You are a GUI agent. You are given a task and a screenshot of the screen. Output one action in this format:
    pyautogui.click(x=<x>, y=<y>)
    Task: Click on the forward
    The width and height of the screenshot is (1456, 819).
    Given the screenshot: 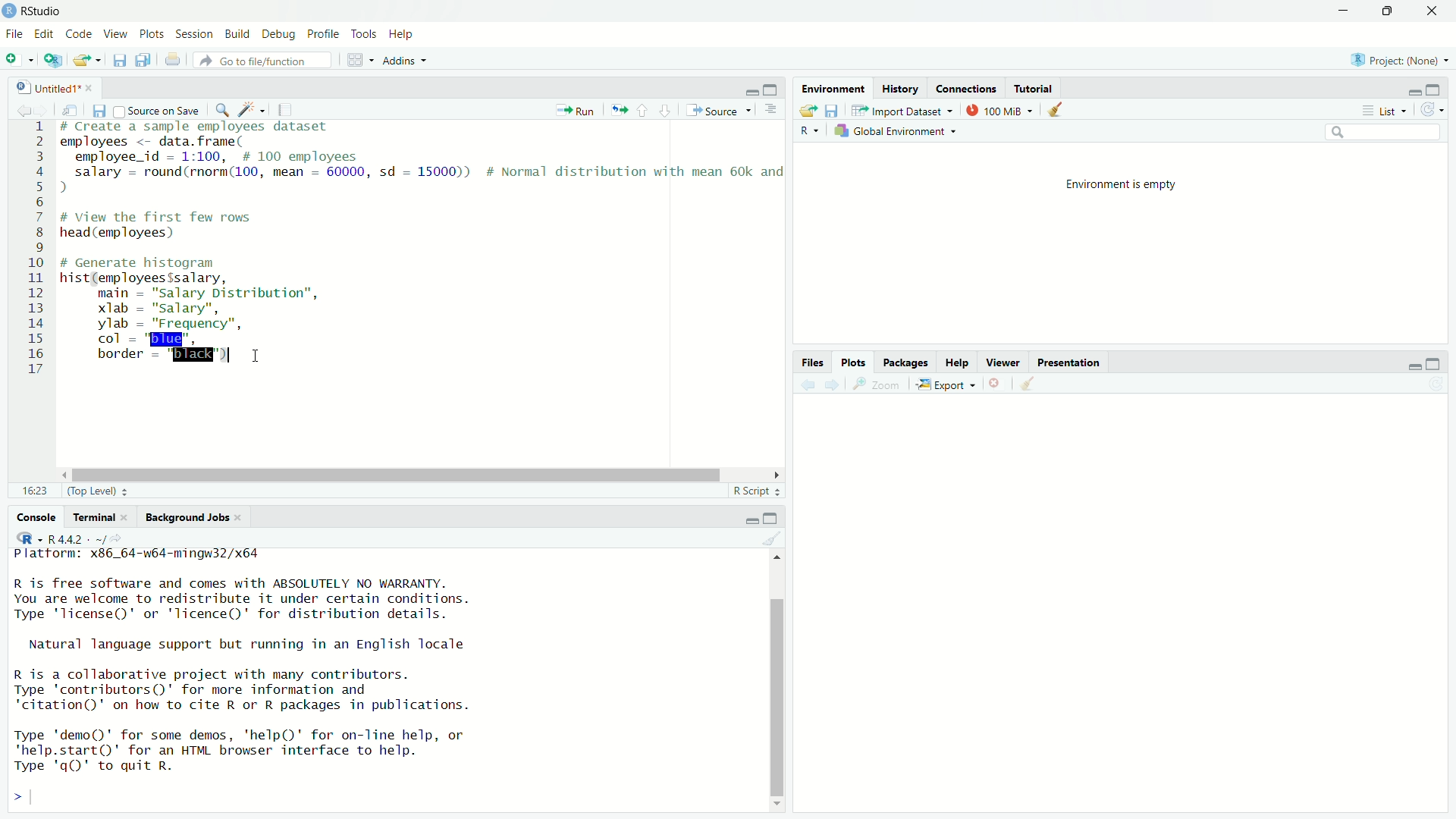 What is the action you would take?
    pyautogui.click(x=43, y=110)
    